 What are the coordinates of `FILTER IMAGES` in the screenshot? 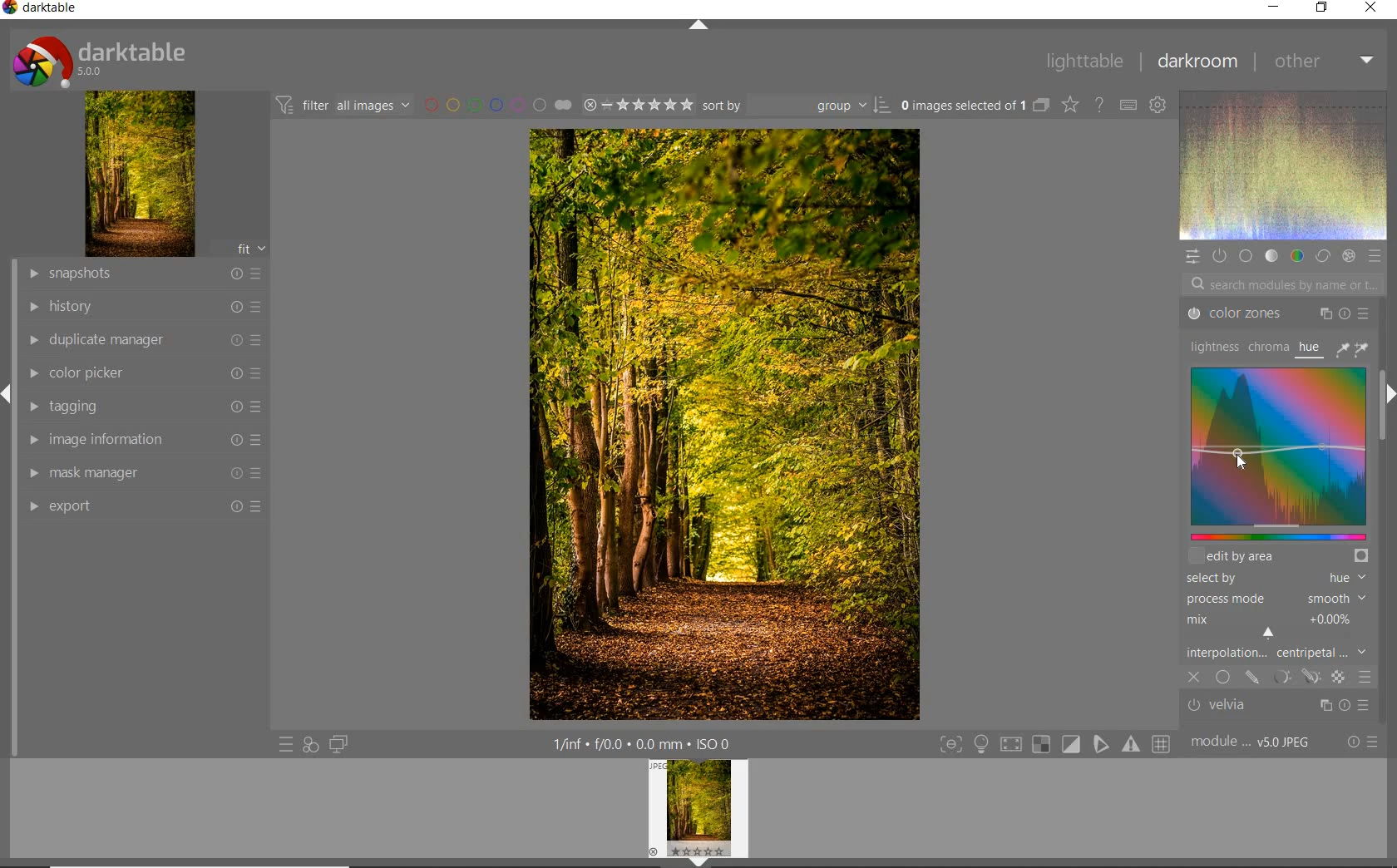 It's located at (343, 105).